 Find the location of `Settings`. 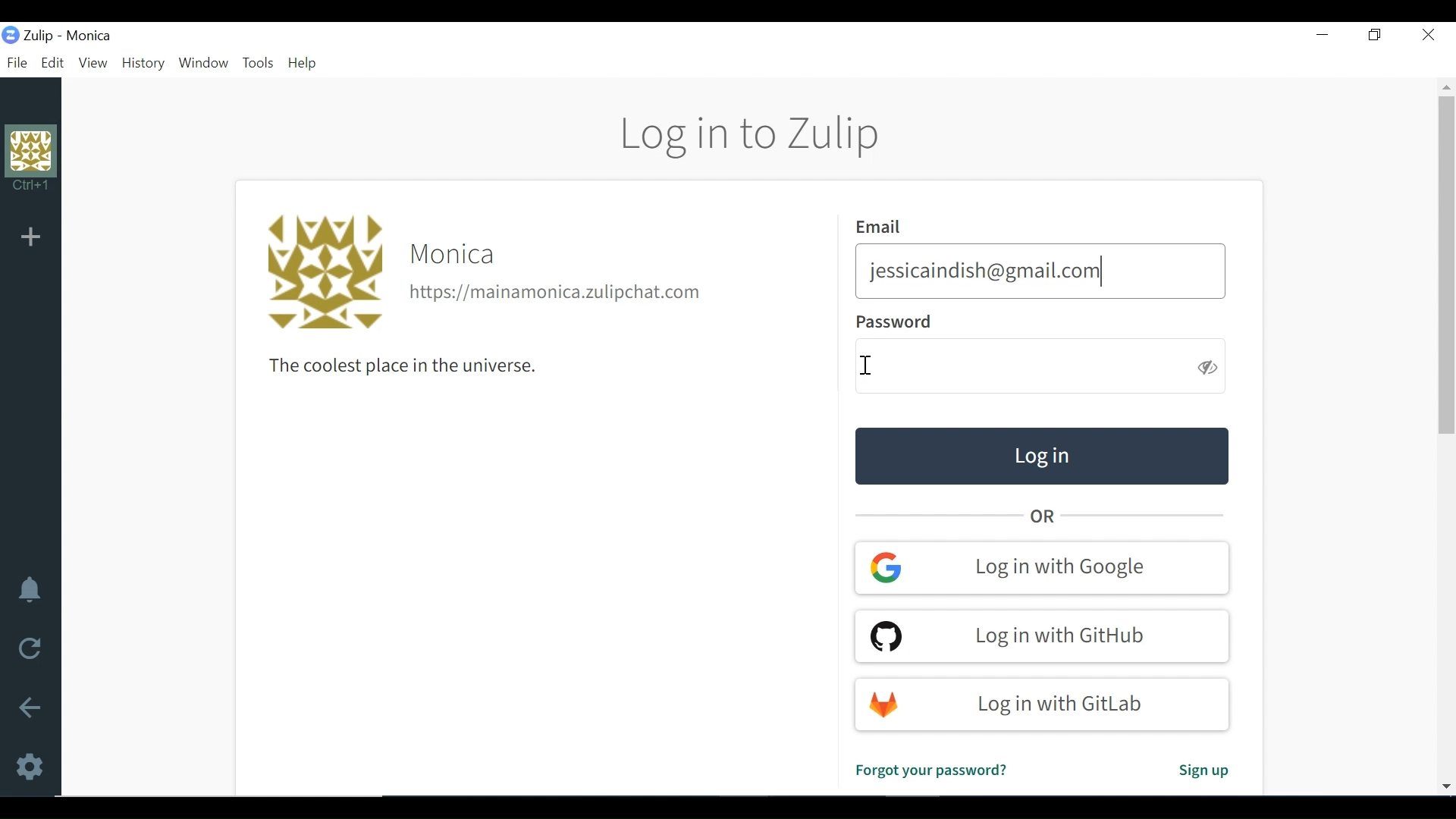

Settings is located at coordinates (28, 767).